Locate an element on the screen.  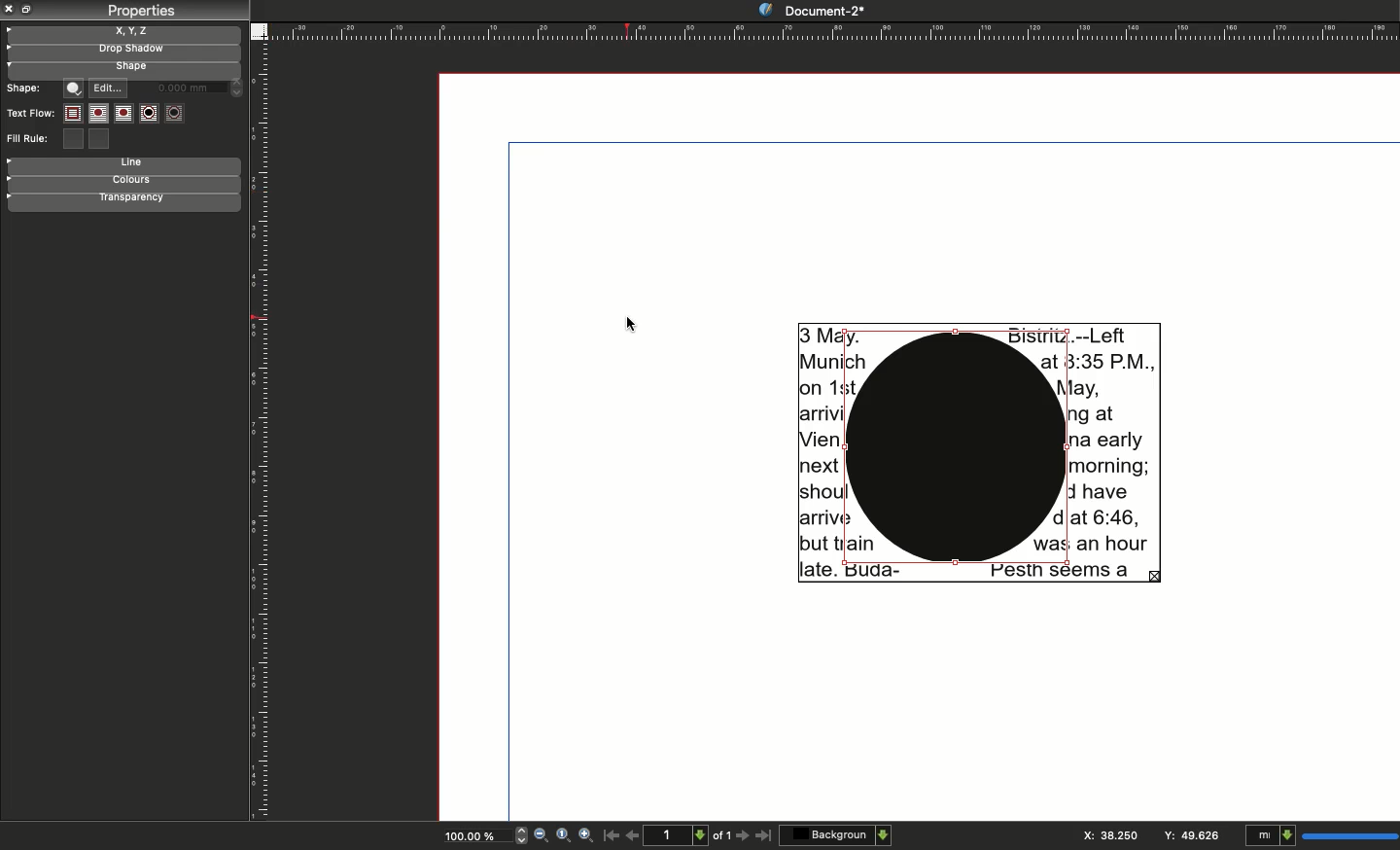
Colours is located at coordinates (135, 182).